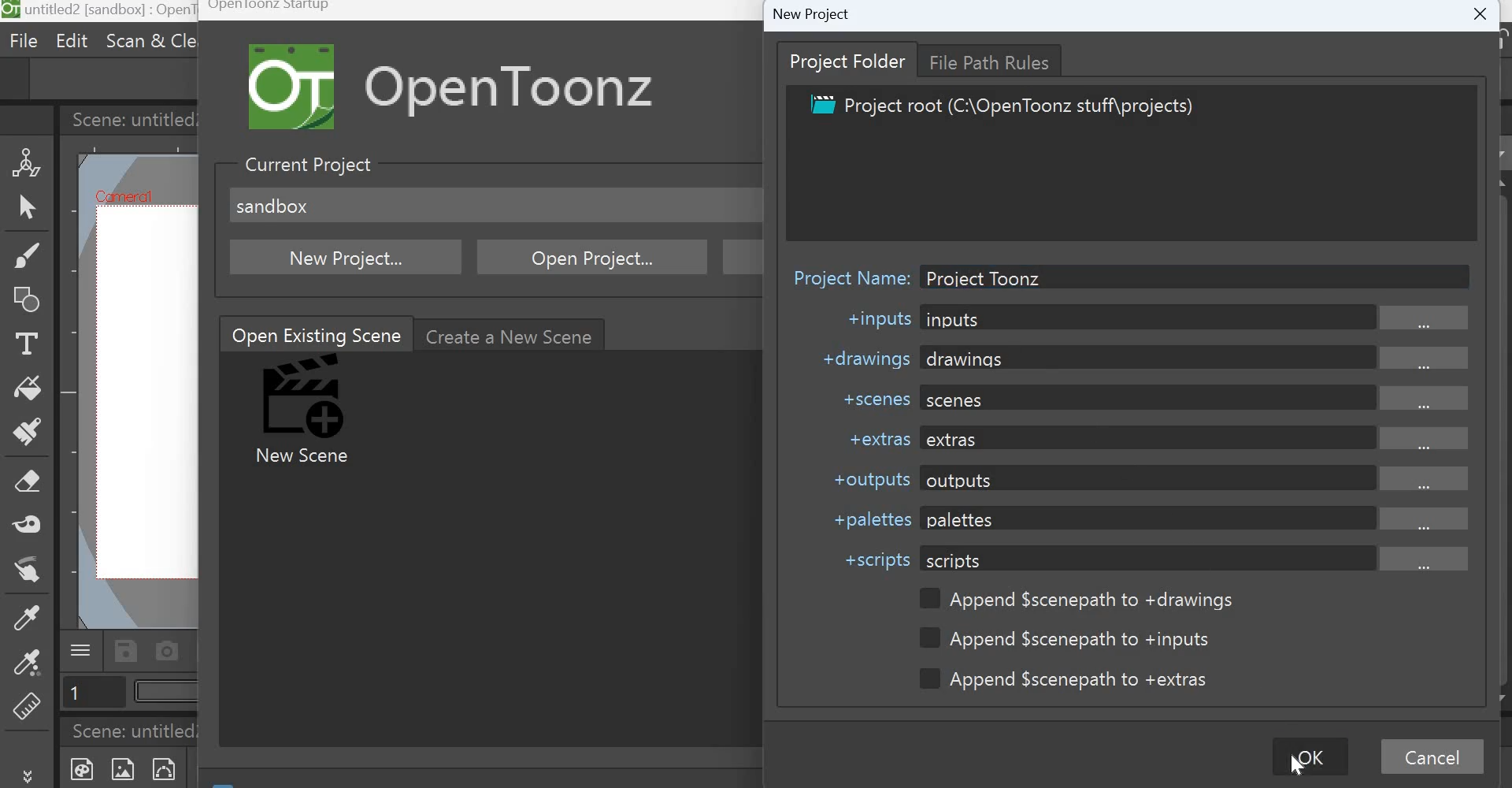 Image resolution: width=1512 pixels, height=788 pixels. What do you see at coordinates (28, 161) in the screenshot?
I see `Animate Tool` at bounding box center [28, 161].